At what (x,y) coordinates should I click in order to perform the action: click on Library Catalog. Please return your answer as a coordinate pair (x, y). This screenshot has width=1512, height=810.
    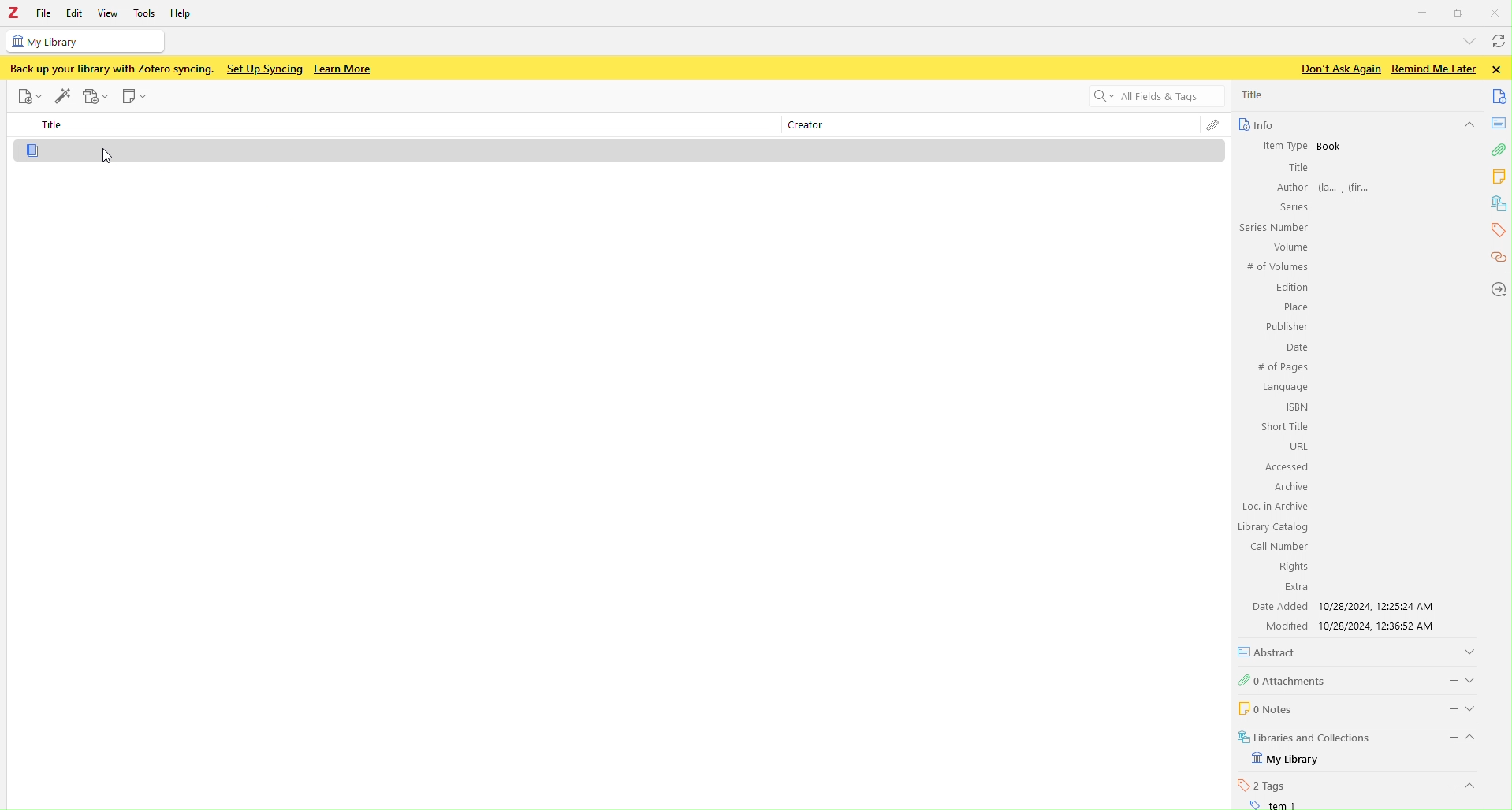
    Looking at the image, I should click on (1274, 527).